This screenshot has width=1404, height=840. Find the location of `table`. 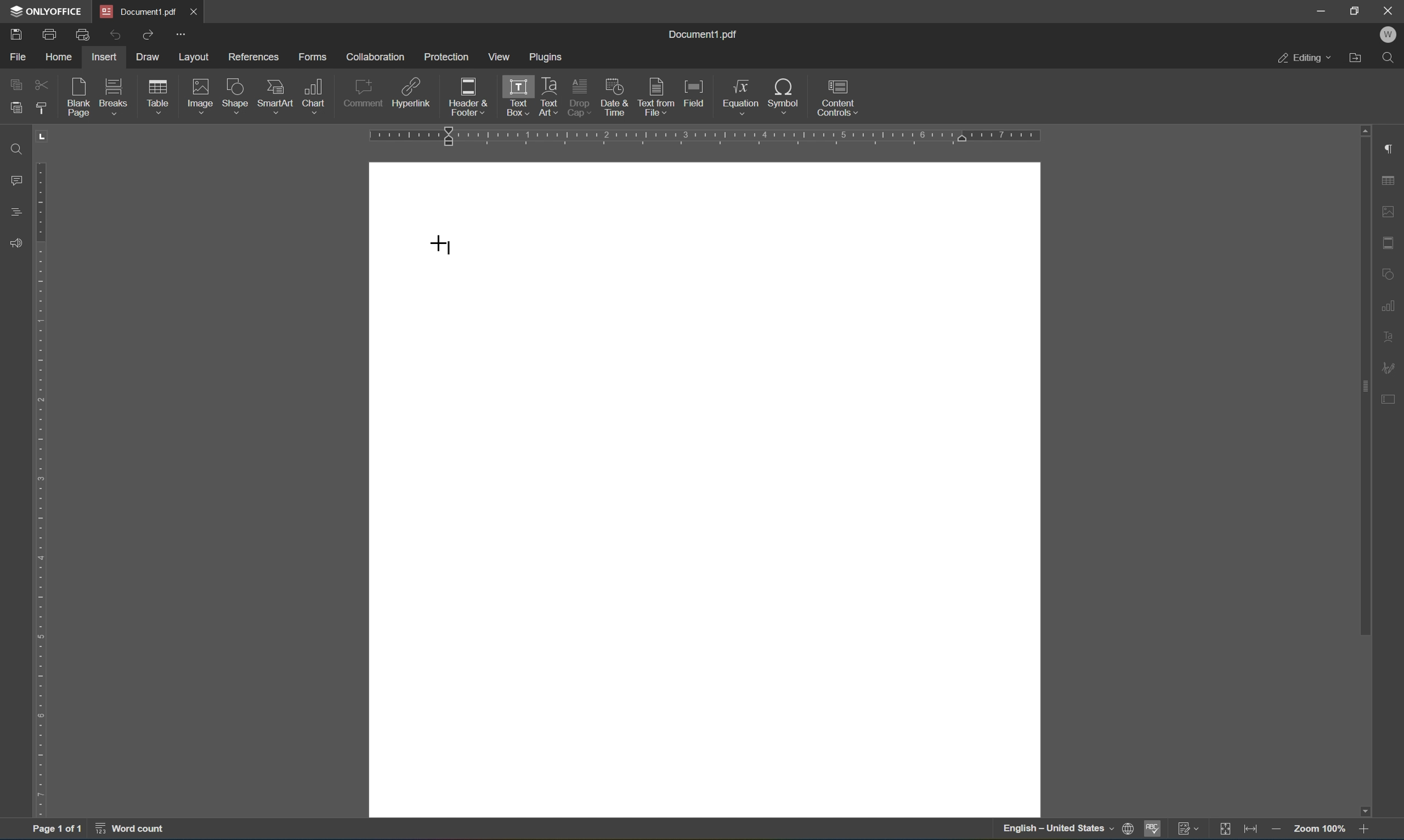

table is located at coordinates (159, 98).